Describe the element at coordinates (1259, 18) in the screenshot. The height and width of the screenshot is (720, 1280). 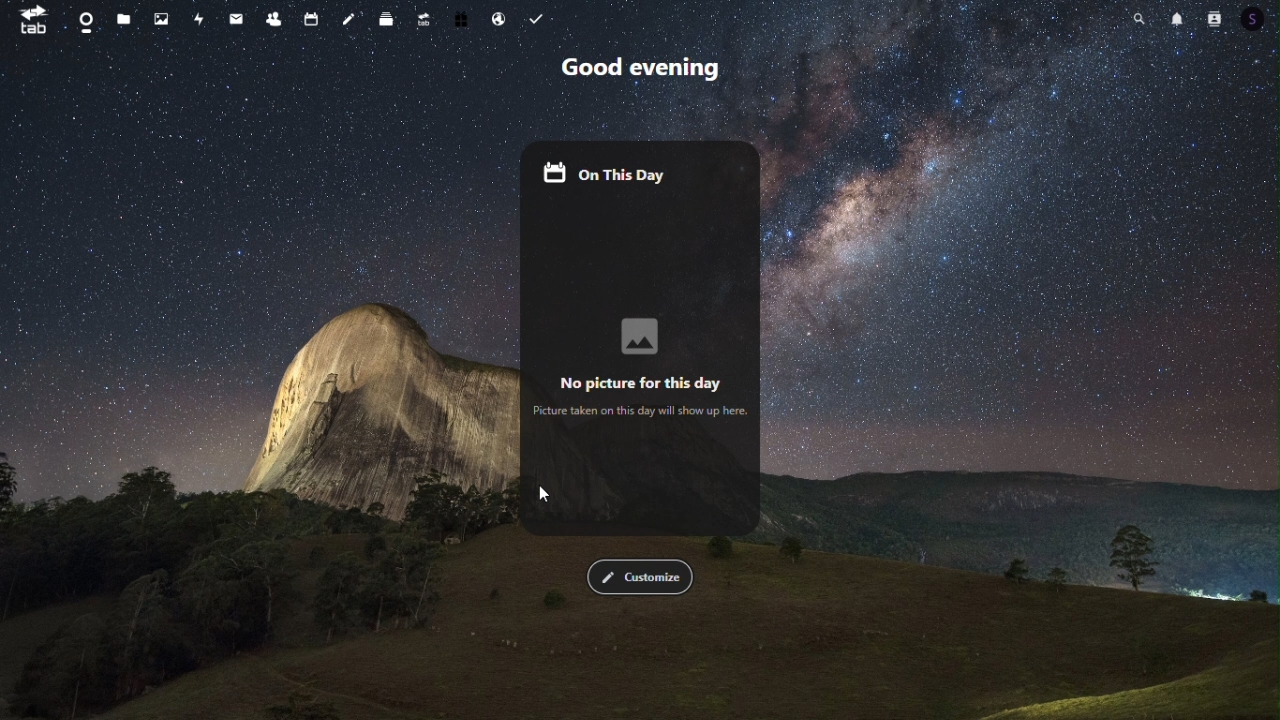
I see `Account icon` at that location.